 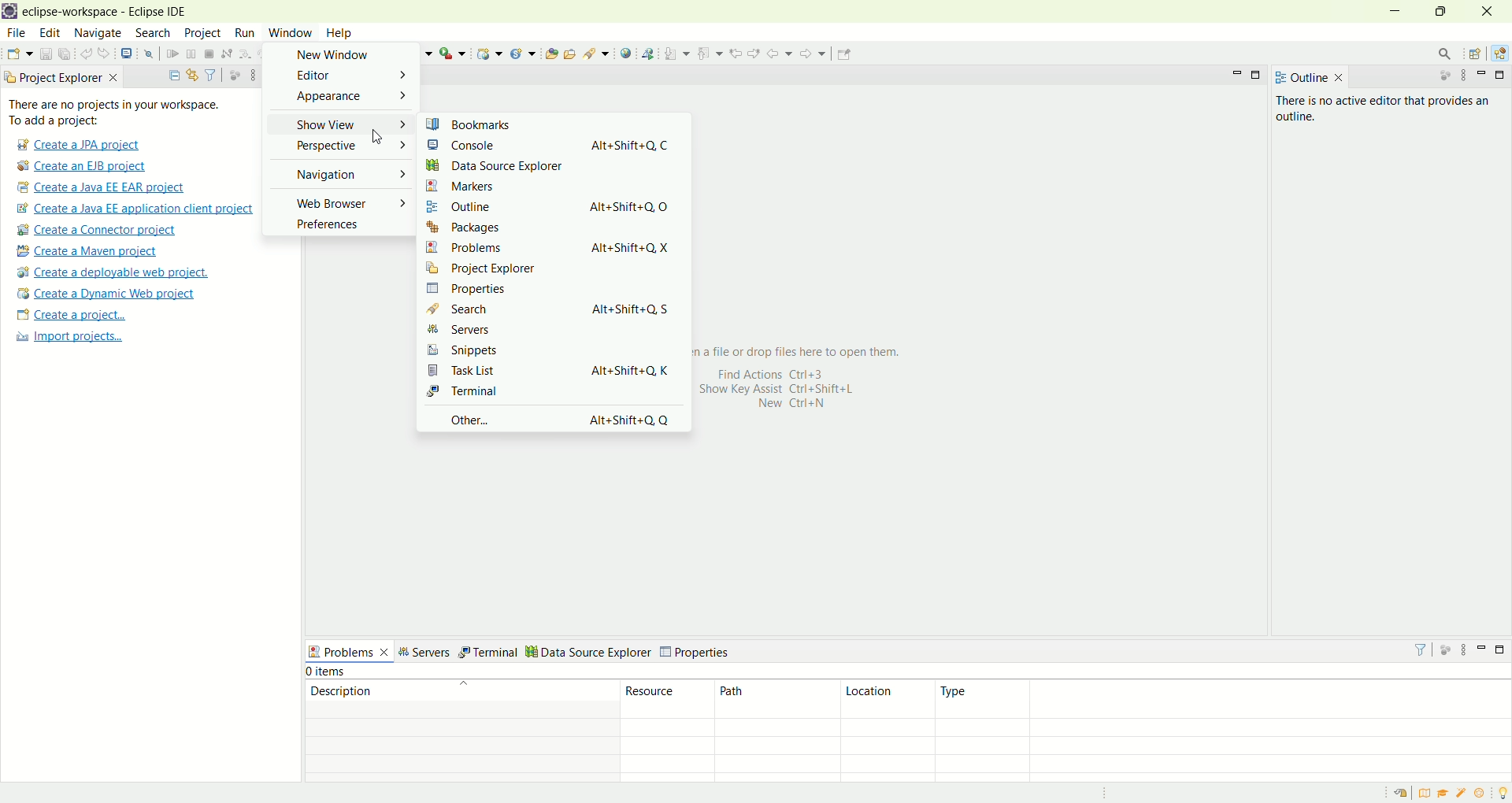 What do you see at coordinates (69, 316) in the screenshot?
I see `create a project` at bounding box center [69, 316].